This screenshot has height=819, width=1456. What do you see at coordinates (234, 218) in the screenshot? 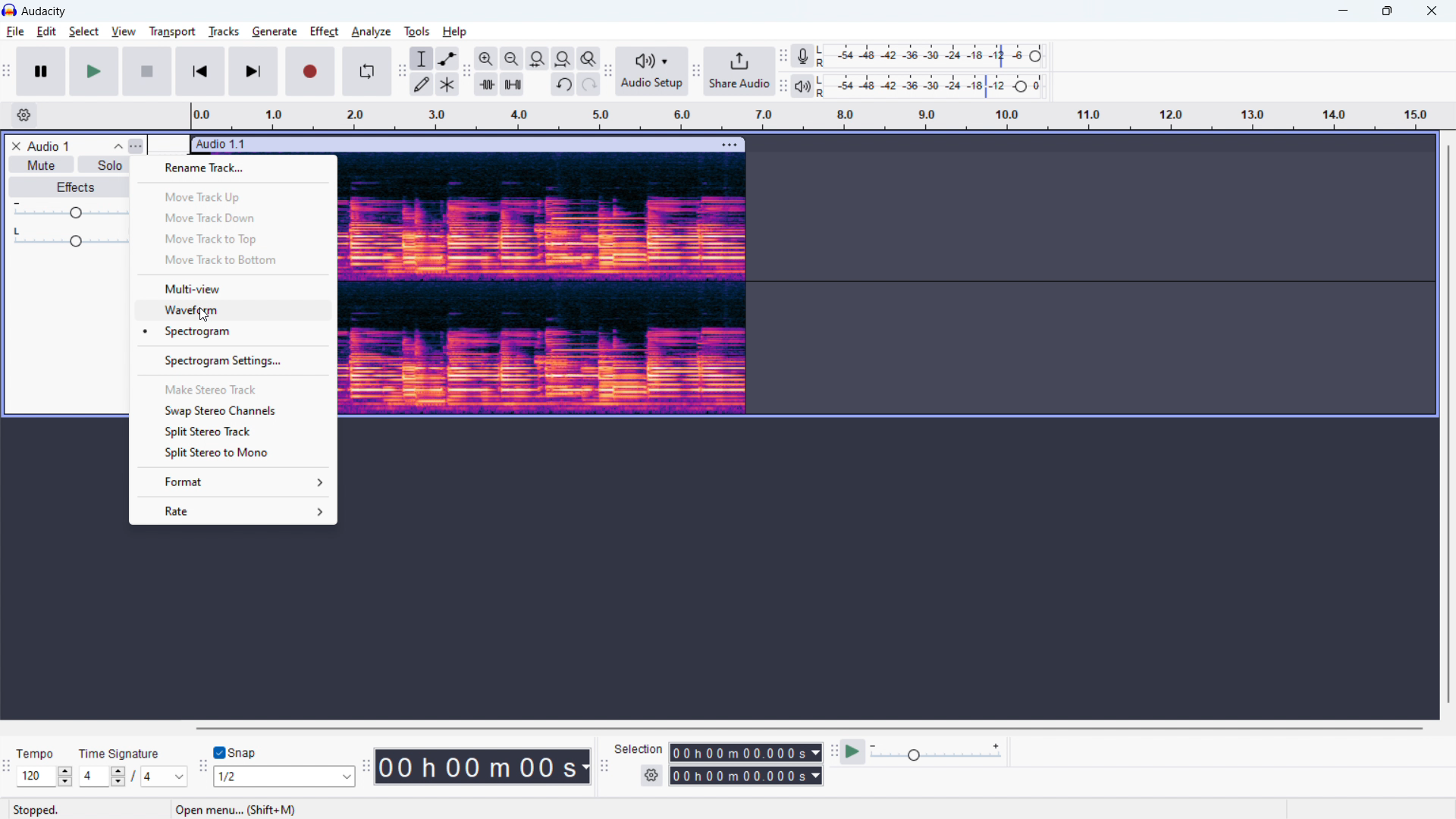
I see `move track down` at bounding box center [234, 218].